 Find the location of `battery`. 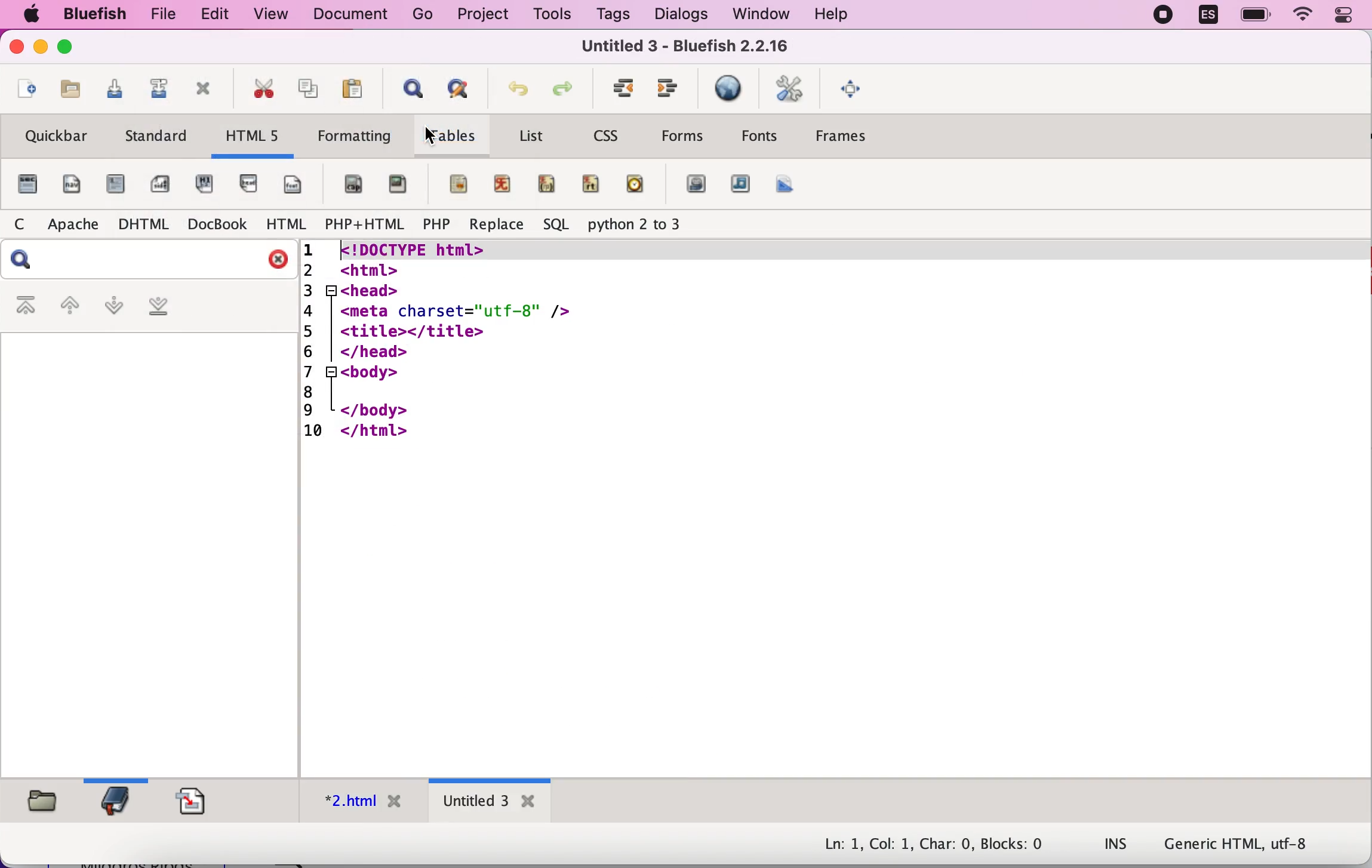

battery is located at coordinates (1254, 15).